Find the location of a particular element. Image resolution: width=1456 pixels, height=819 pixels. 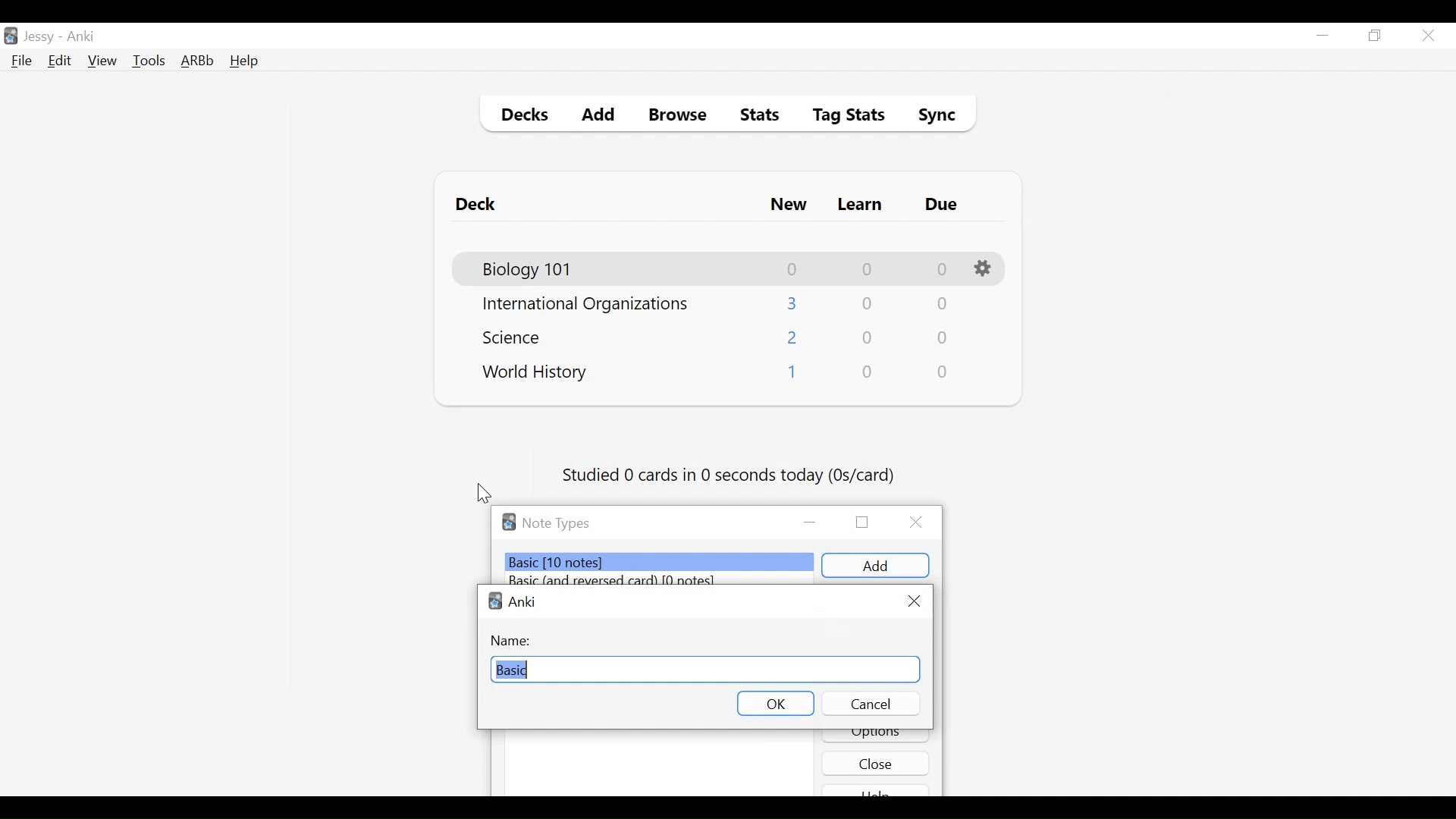

Cancel is located at coordinates (870, 703).